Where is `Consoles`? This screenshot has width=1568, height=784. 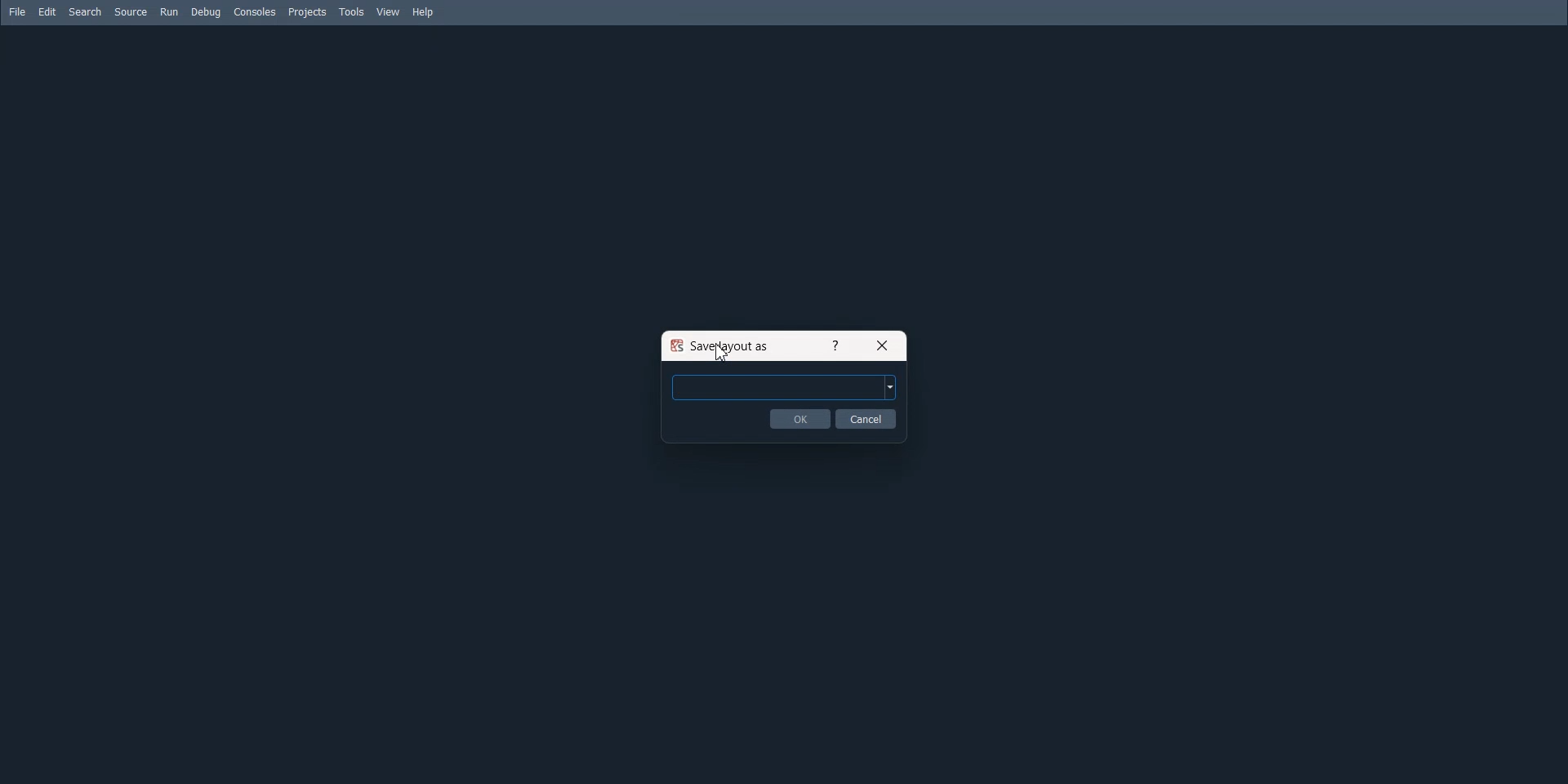 Consoles is located at coordinates (255, 11).